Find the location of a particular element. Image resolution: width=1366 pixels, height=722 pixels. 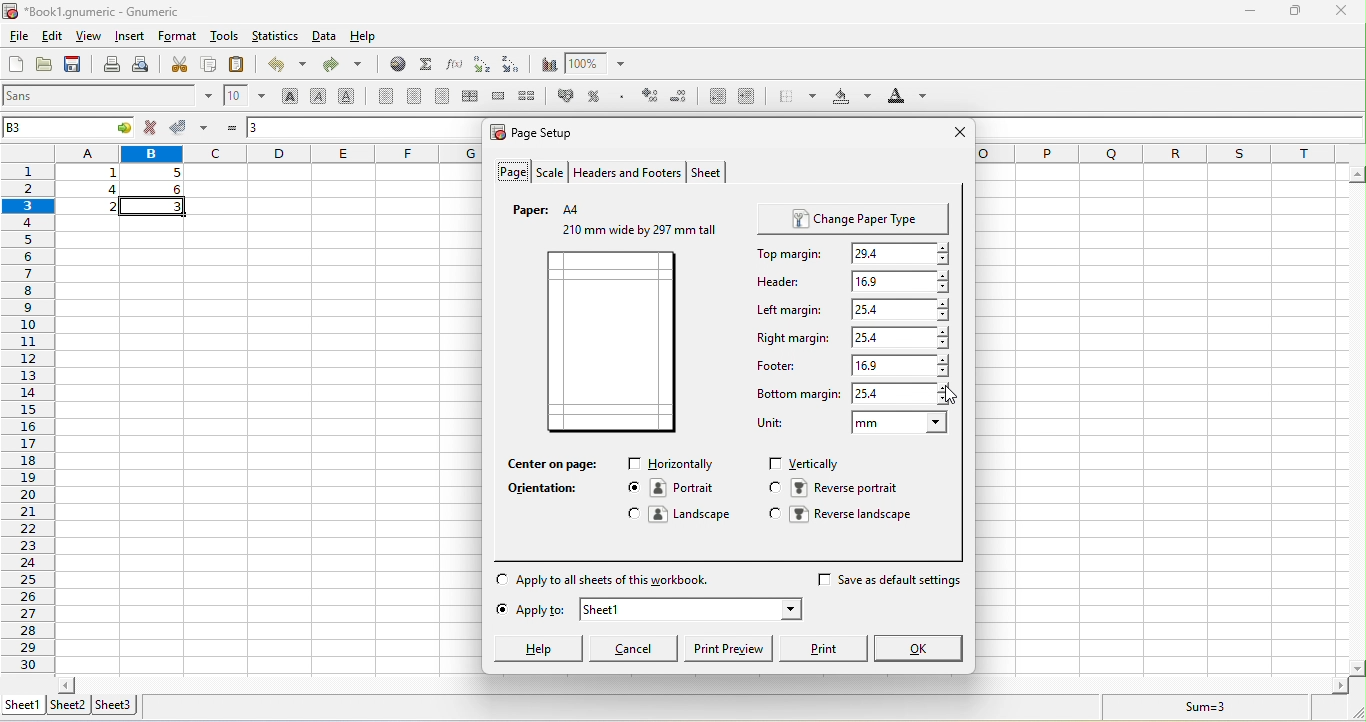

scale is located at coordinates (553, 172).